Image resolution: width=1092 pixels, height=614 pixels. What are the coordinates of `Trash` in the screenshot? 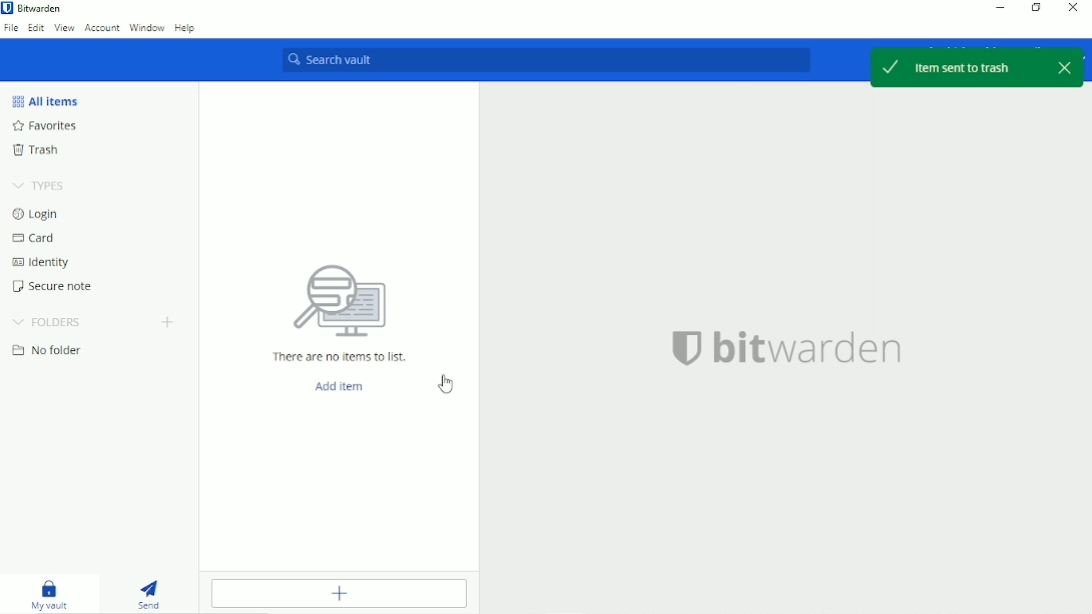 It's located at (38, 150).